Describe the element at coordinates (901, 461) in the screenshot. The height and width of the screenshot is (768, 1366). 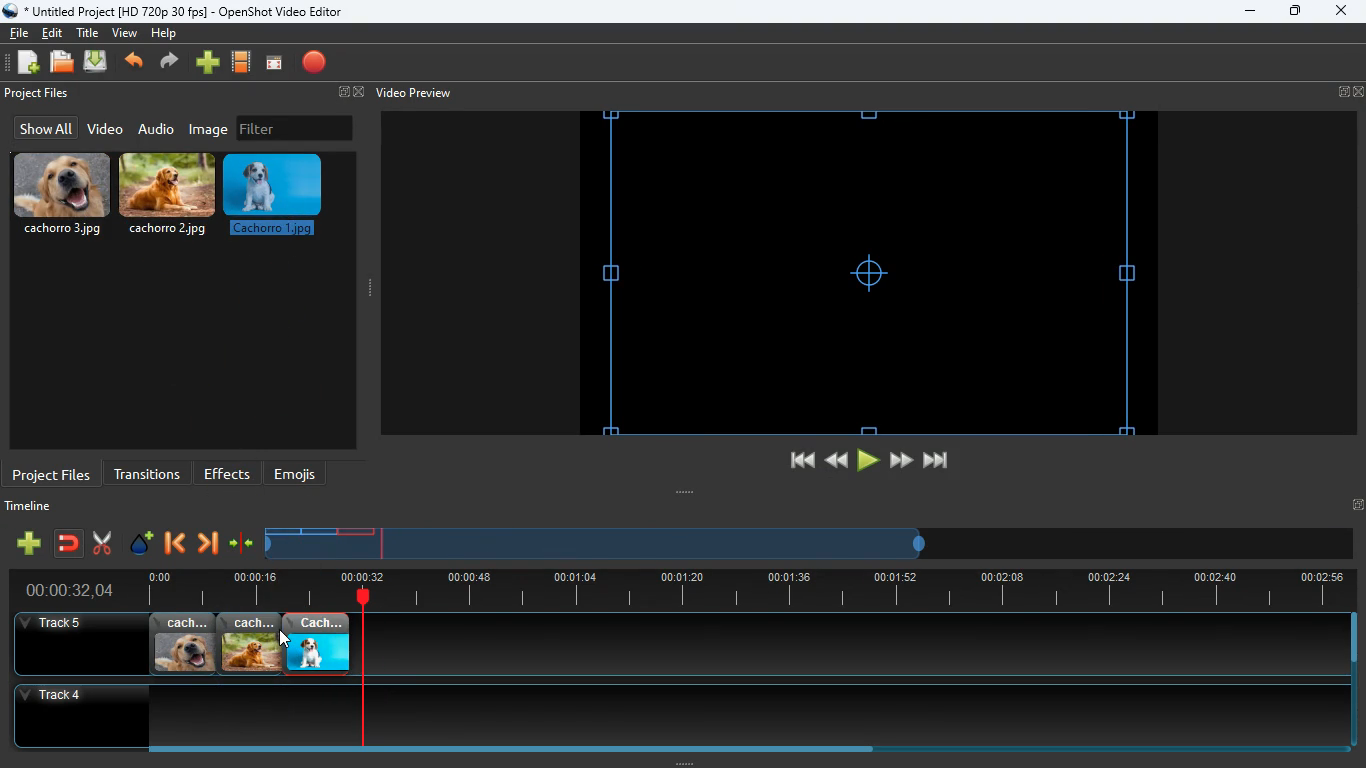
I see `forward` at that location.